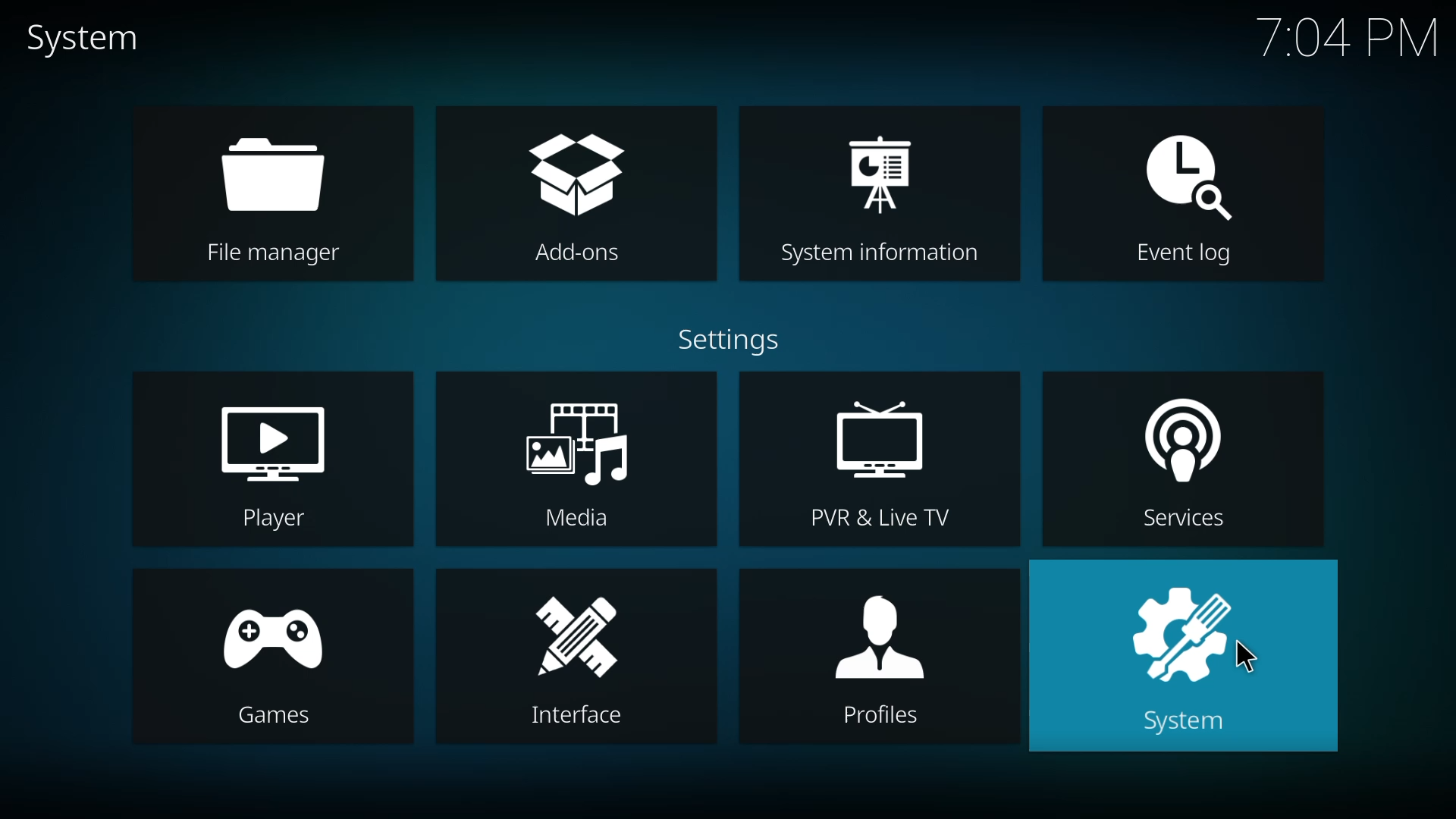  Describe the element at coordinates (1194, 192) in the screenshot. I see `event log` at that location.